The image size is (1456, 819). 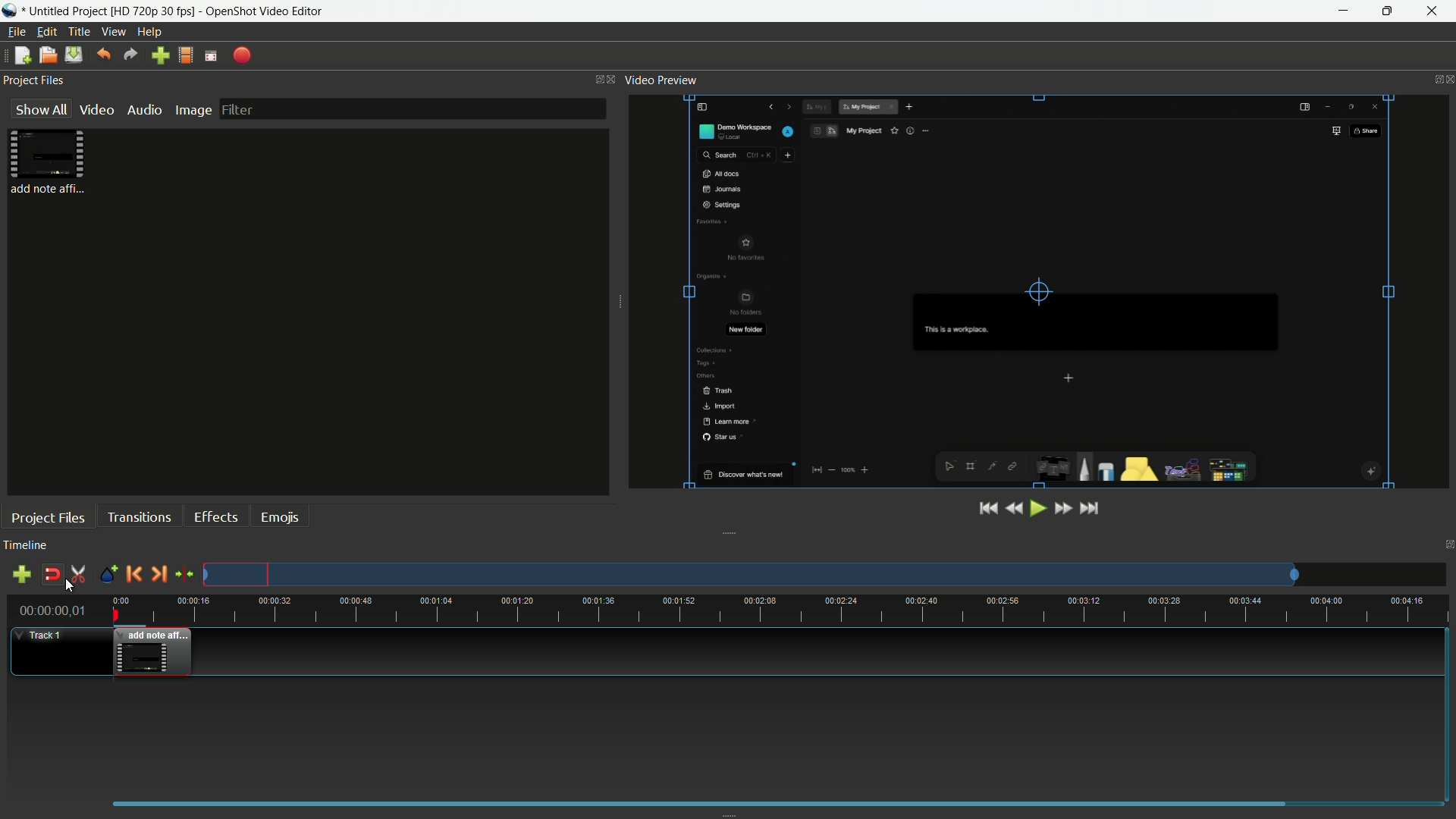 What do you see at coordinates (1036, 508) in the screenshot?
I see `play or pause` at bounding box center [1036, 508].